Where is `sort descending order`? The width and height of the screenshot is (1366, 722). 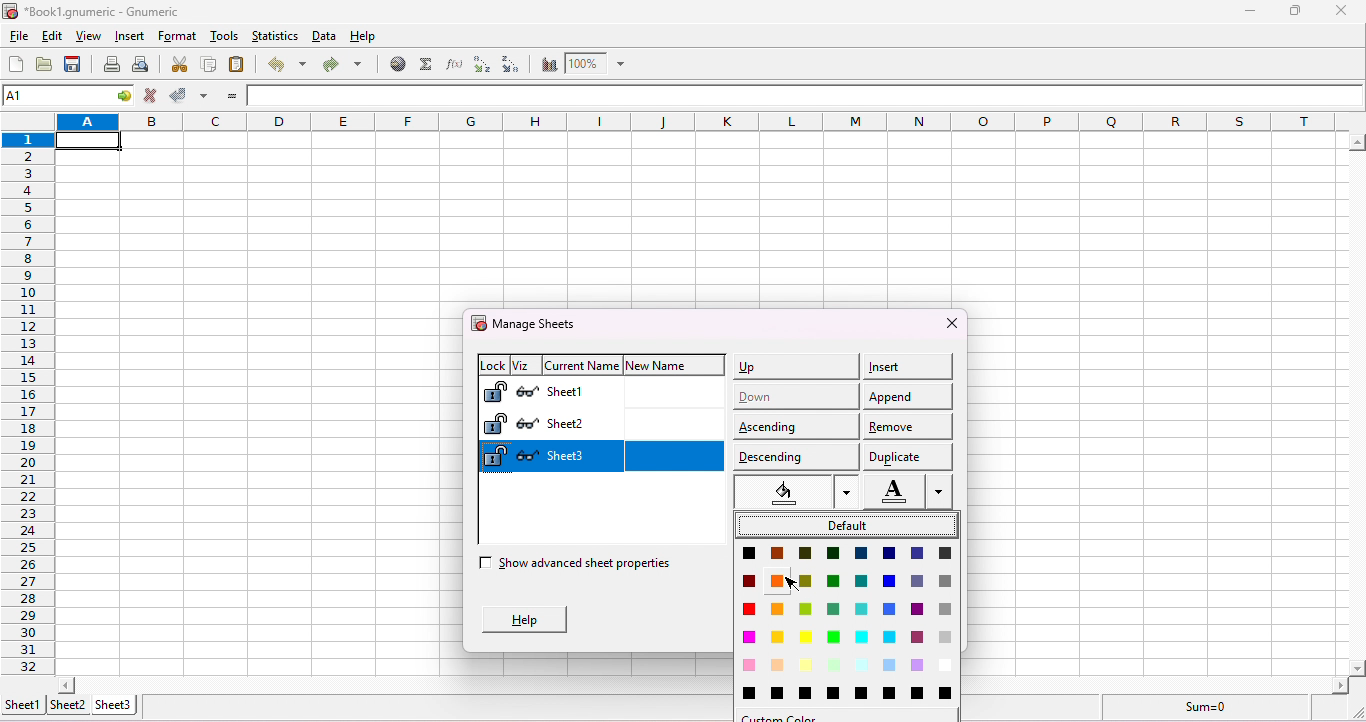
sort descending order is located at coordinates (513, 63).